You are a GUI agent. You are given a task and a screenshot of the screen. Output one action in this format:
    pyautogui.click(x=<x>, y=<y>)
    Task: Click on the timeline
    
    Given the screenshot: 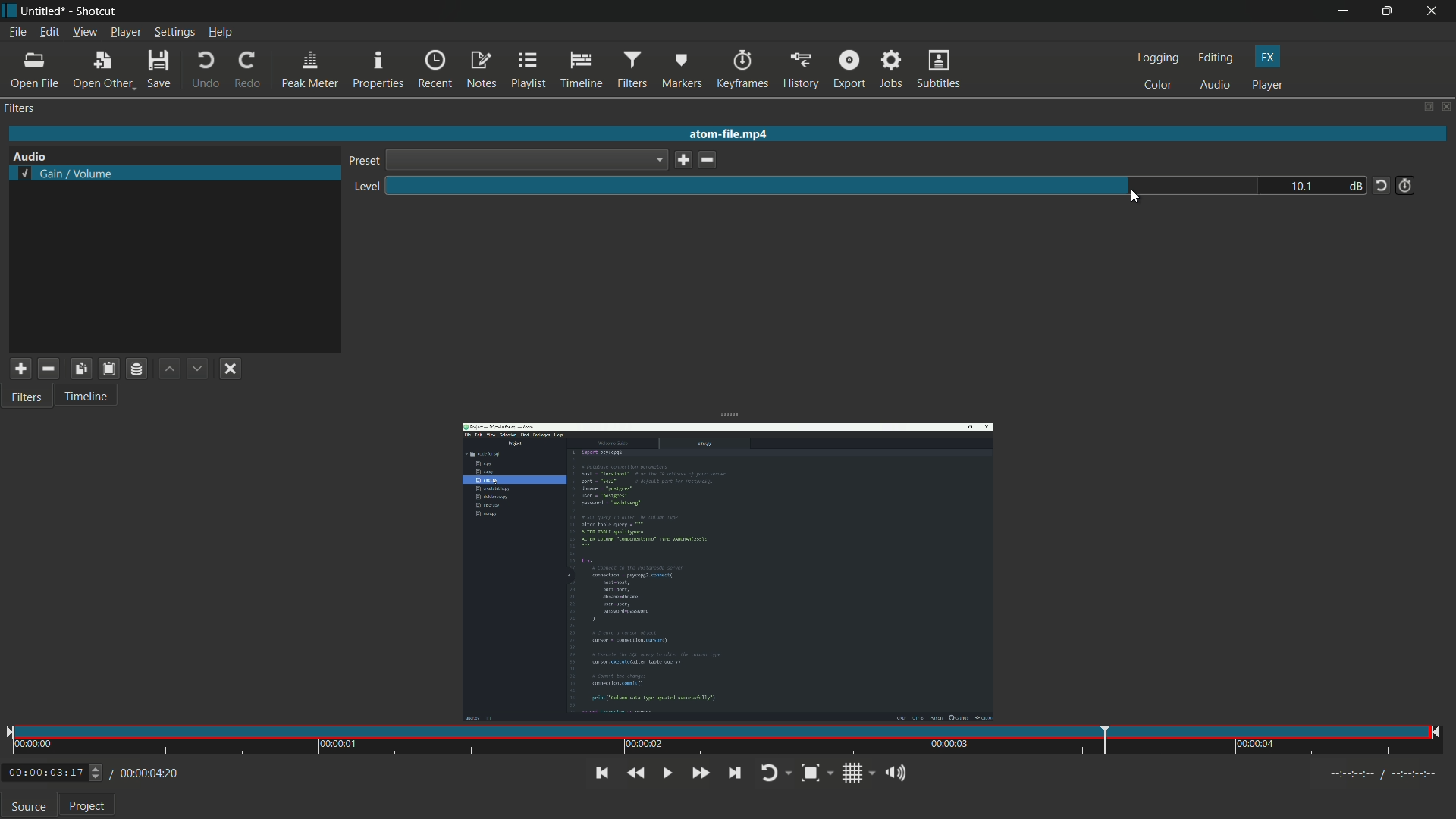 What is the action you would take?
    pyautogui.click(x=580, y=70)
    